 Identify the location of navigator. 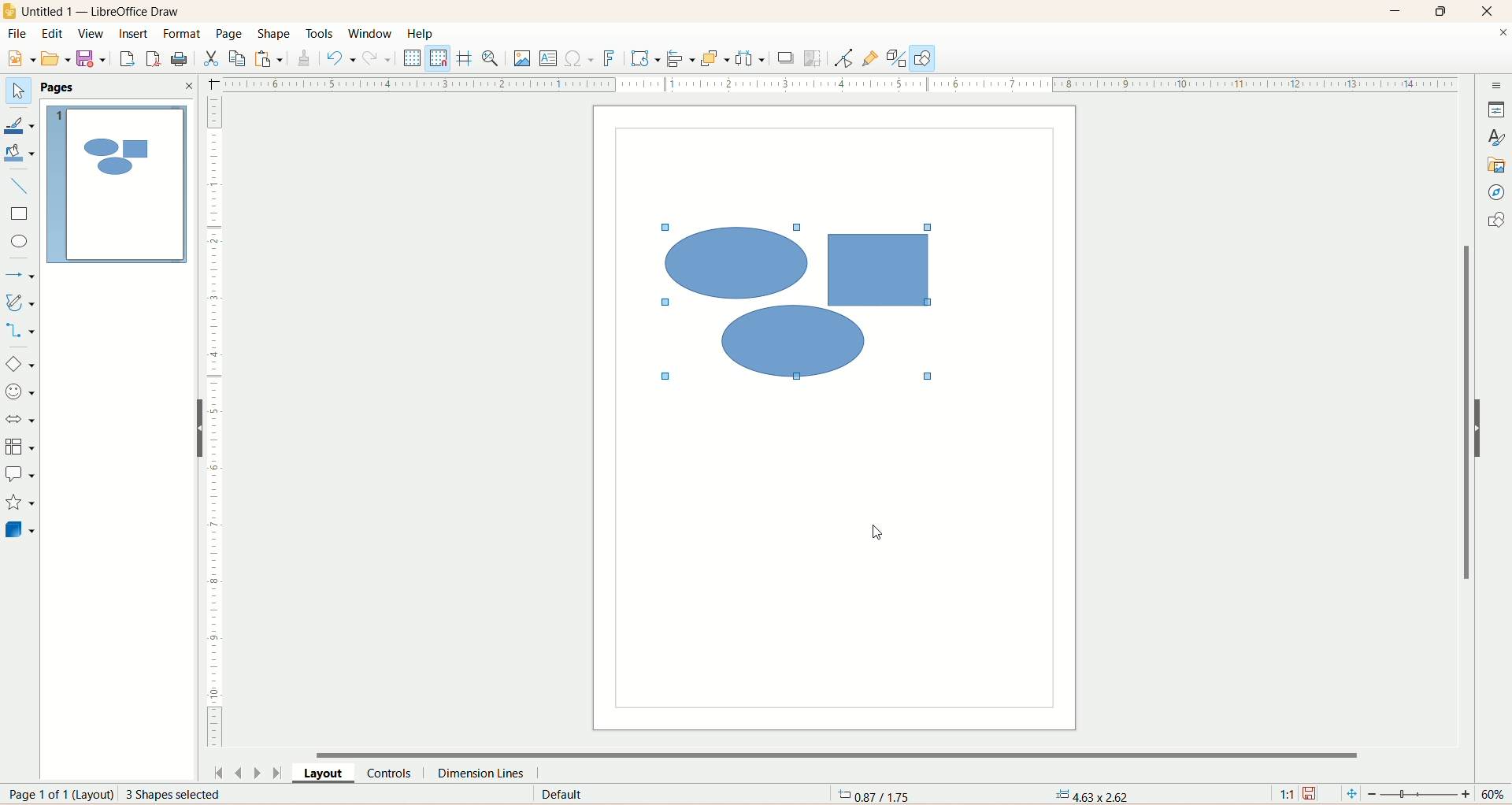
(1497, 193).